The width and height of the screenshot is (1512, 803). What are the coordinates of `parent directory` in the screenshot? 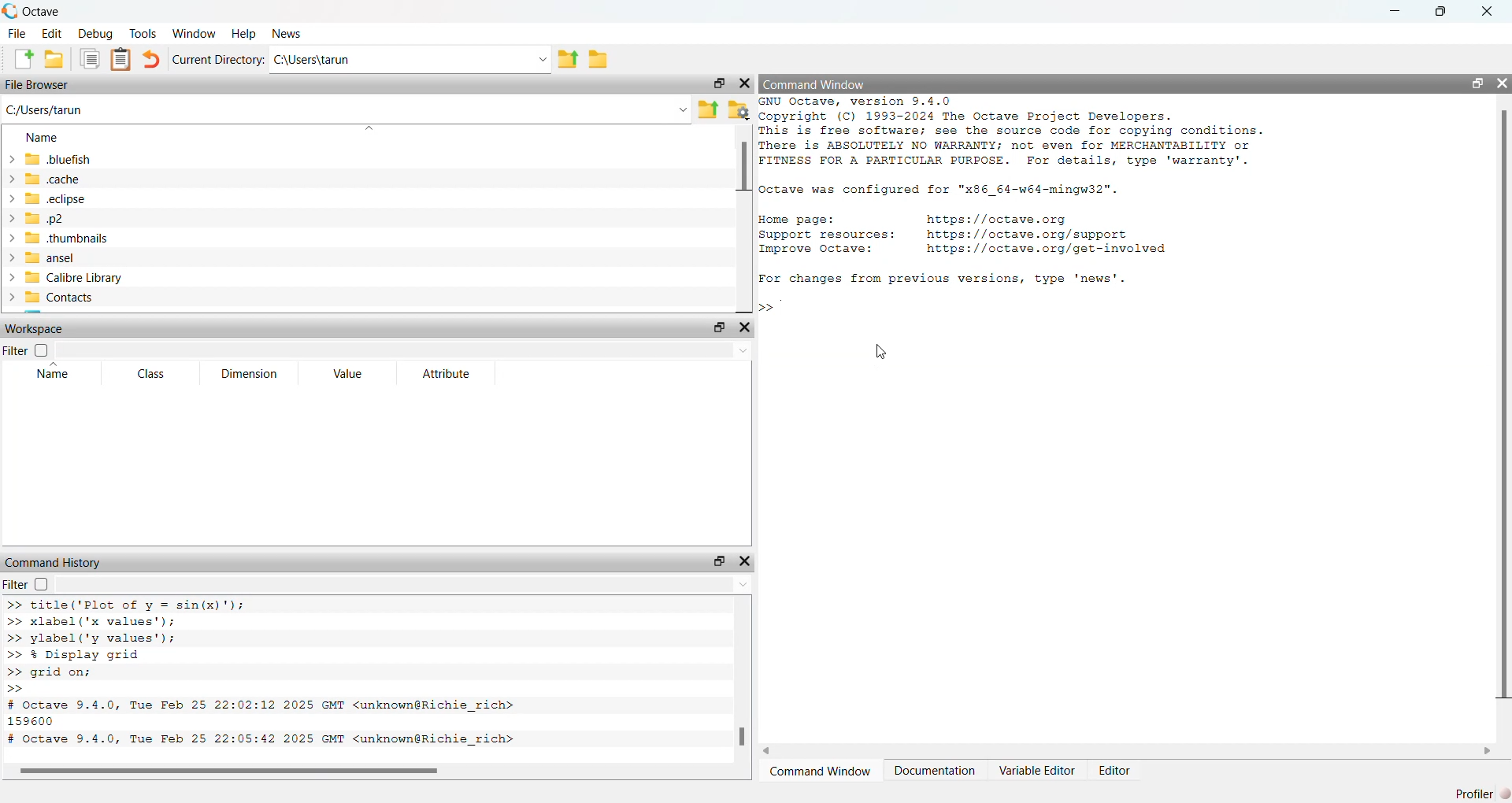 It's located at (569, 59).